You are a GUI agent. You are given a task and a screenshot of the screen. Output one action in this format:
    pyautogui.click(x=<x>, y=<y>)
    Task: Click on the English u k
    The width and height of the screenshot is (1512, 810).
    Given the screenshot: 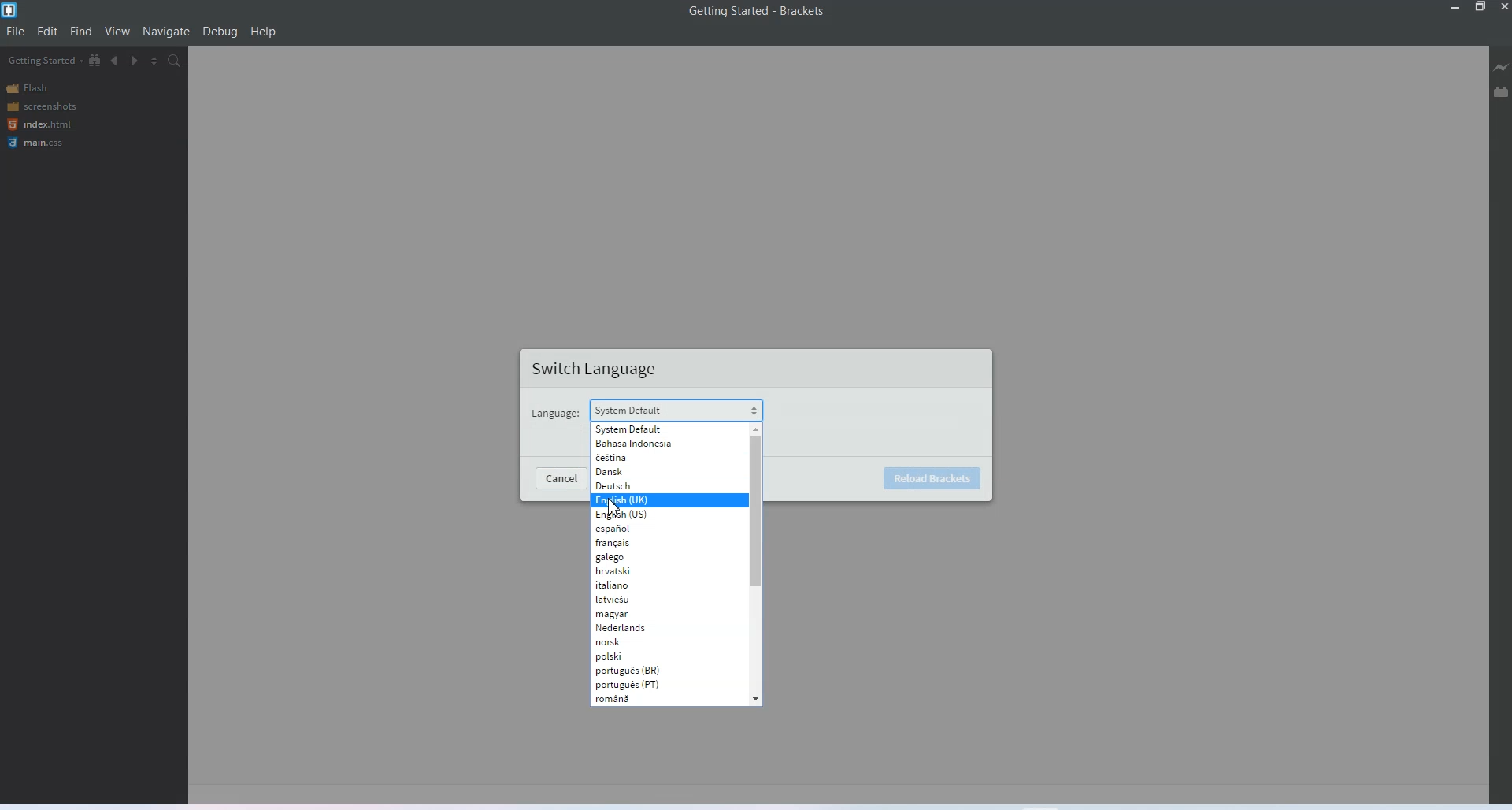 What is the action you would take?
    pyautogui.click(x=654, y=500)
    